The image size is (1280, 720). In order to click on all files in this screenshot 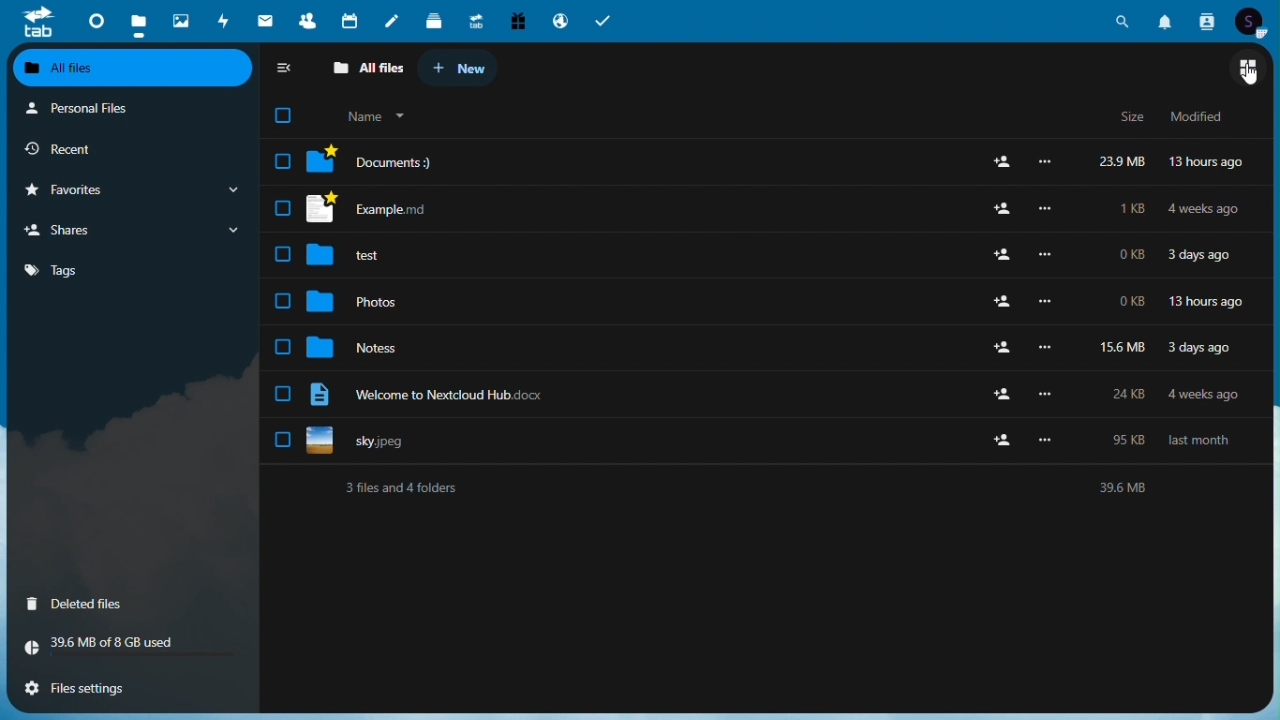, I will do `click(364, 66)`.